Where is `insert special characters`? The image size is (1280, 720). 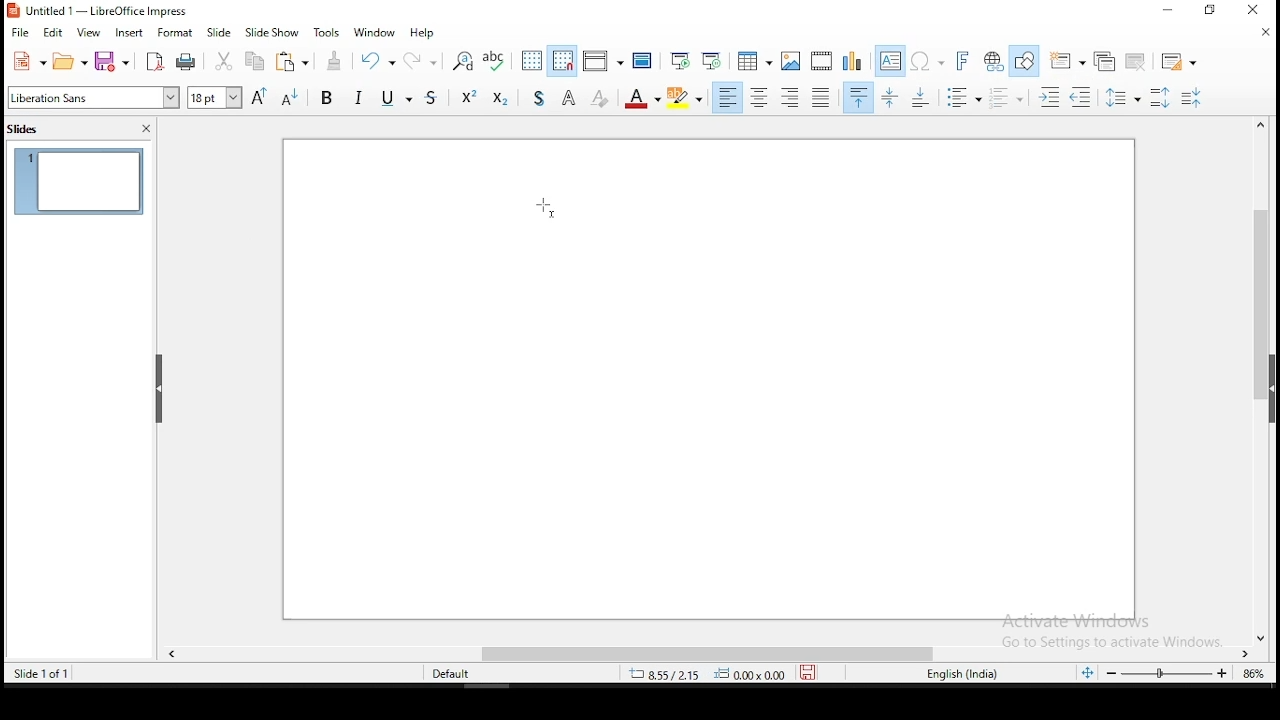
insert special characters is located at coordinates (926, 62).